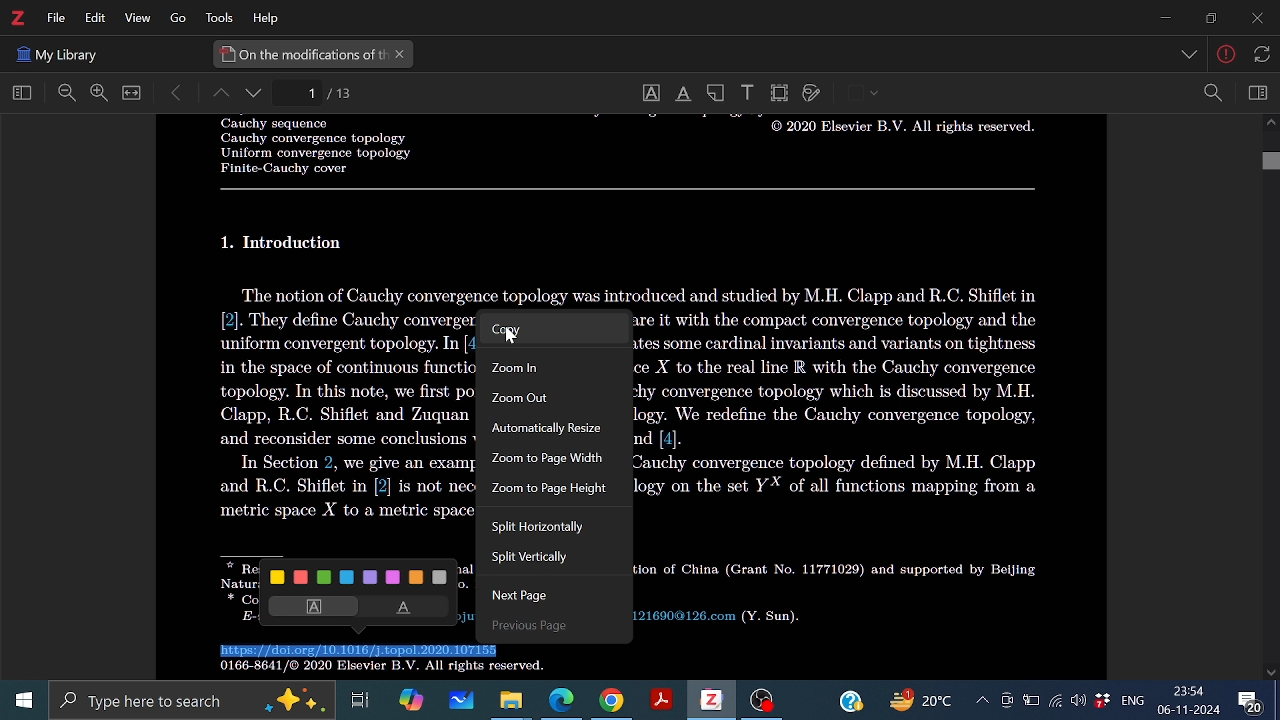  I want to click on Underline, so click(407, 608).